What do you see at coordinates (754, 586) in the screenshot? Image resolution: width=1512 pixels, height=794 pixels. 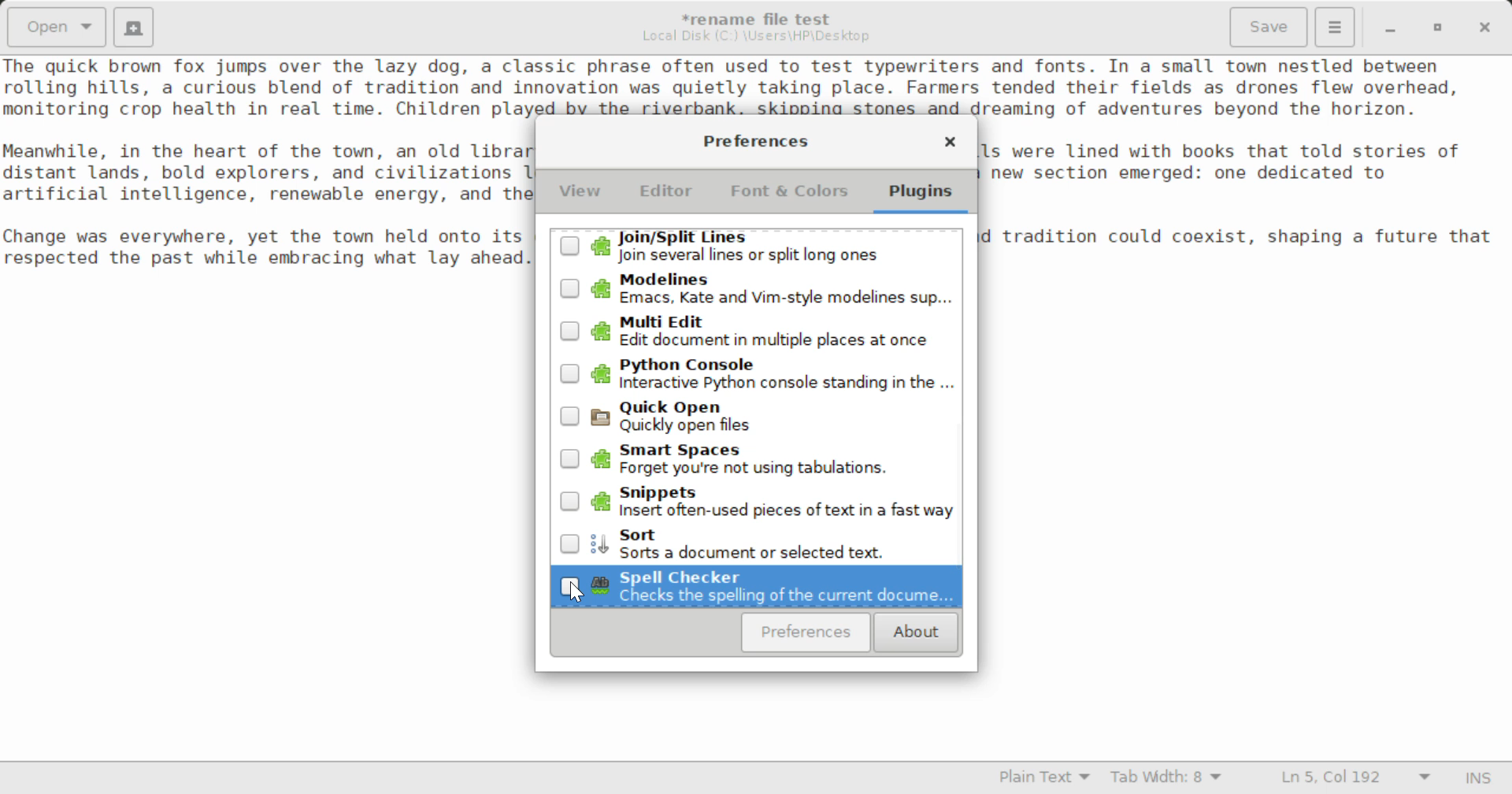 I see `Unselected Spell Checker Plugin ` at bounding box center [754, 586].